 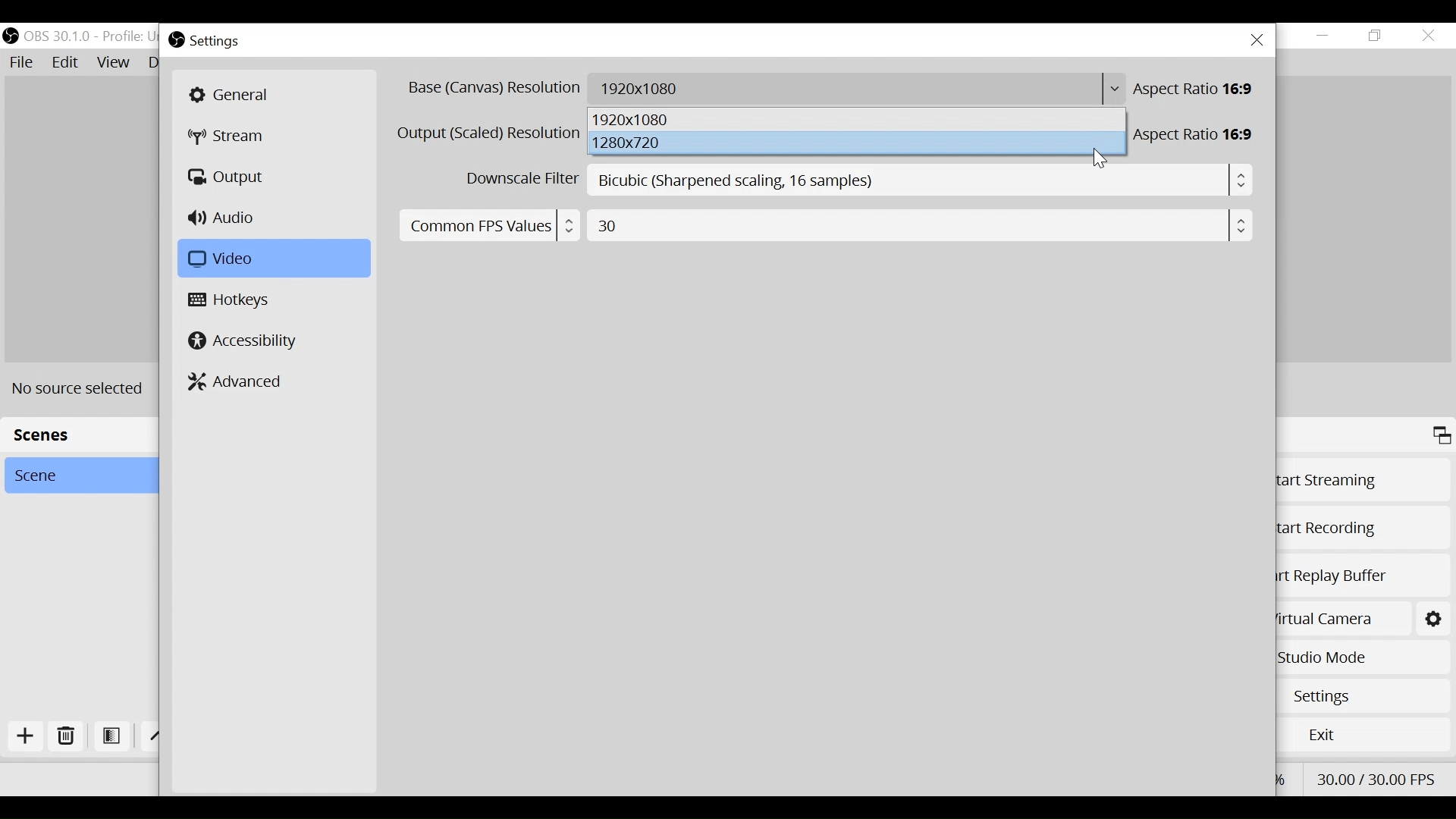 What do you see at coordinates (175, 40) in the screenshot?
I see `OBS Studio Desktop Icon` at bounding box center [175, 40].